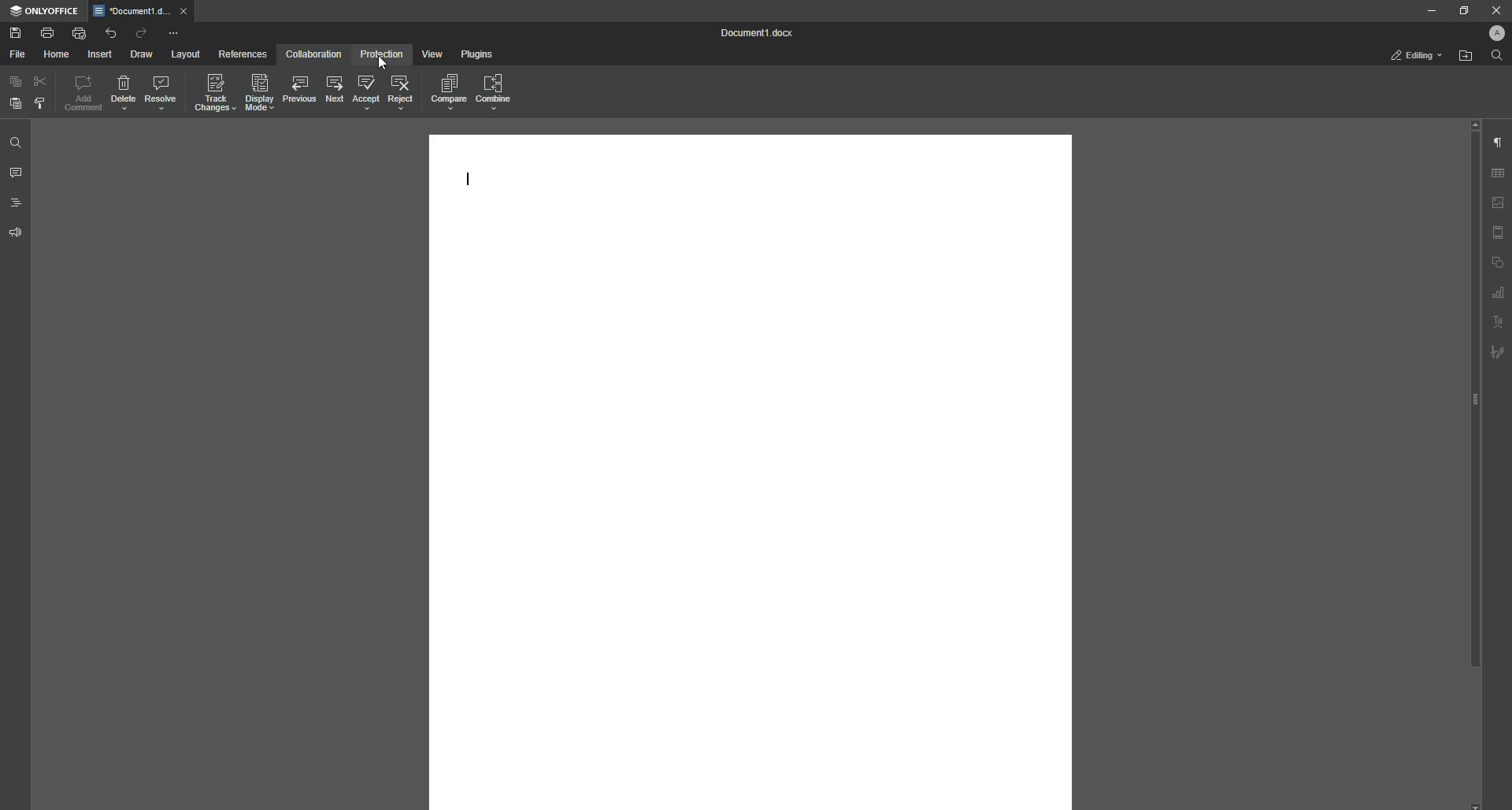  I want to click on Collaboration, so click(312, 54).